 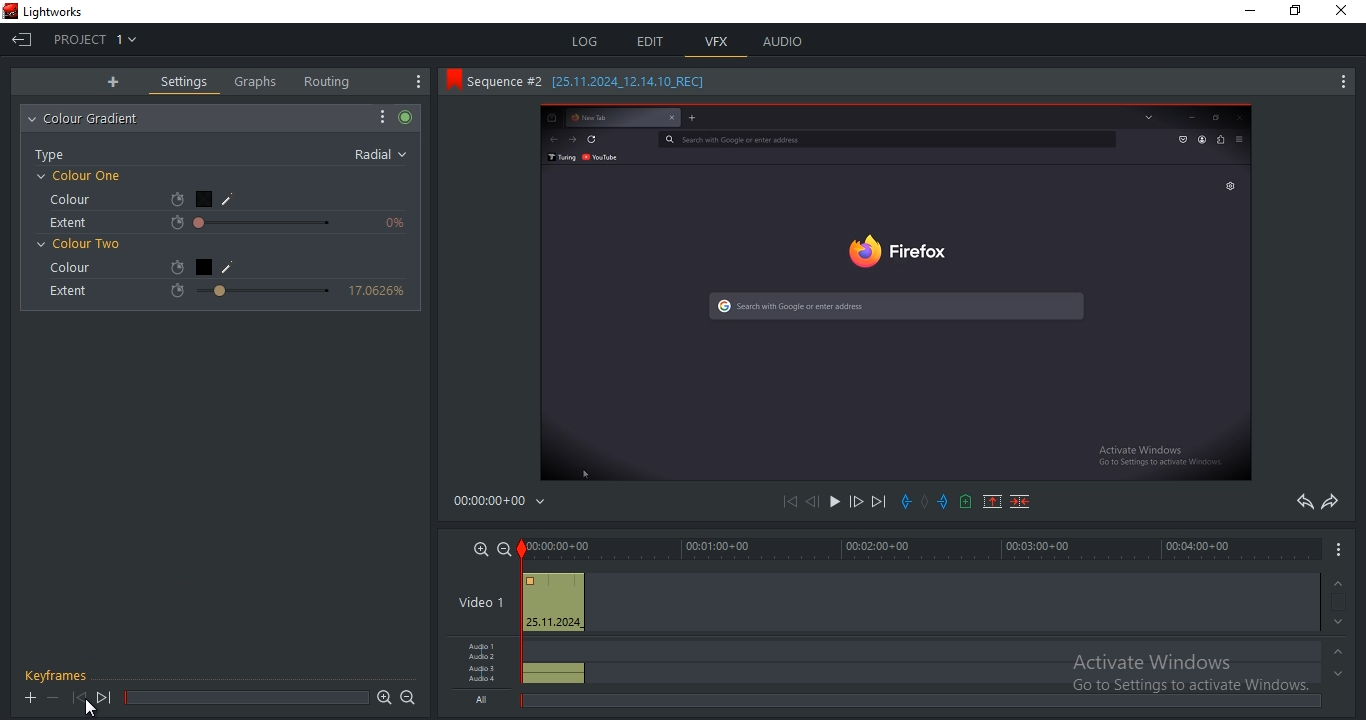 I want to click on routing, so click(x=328, y=81).